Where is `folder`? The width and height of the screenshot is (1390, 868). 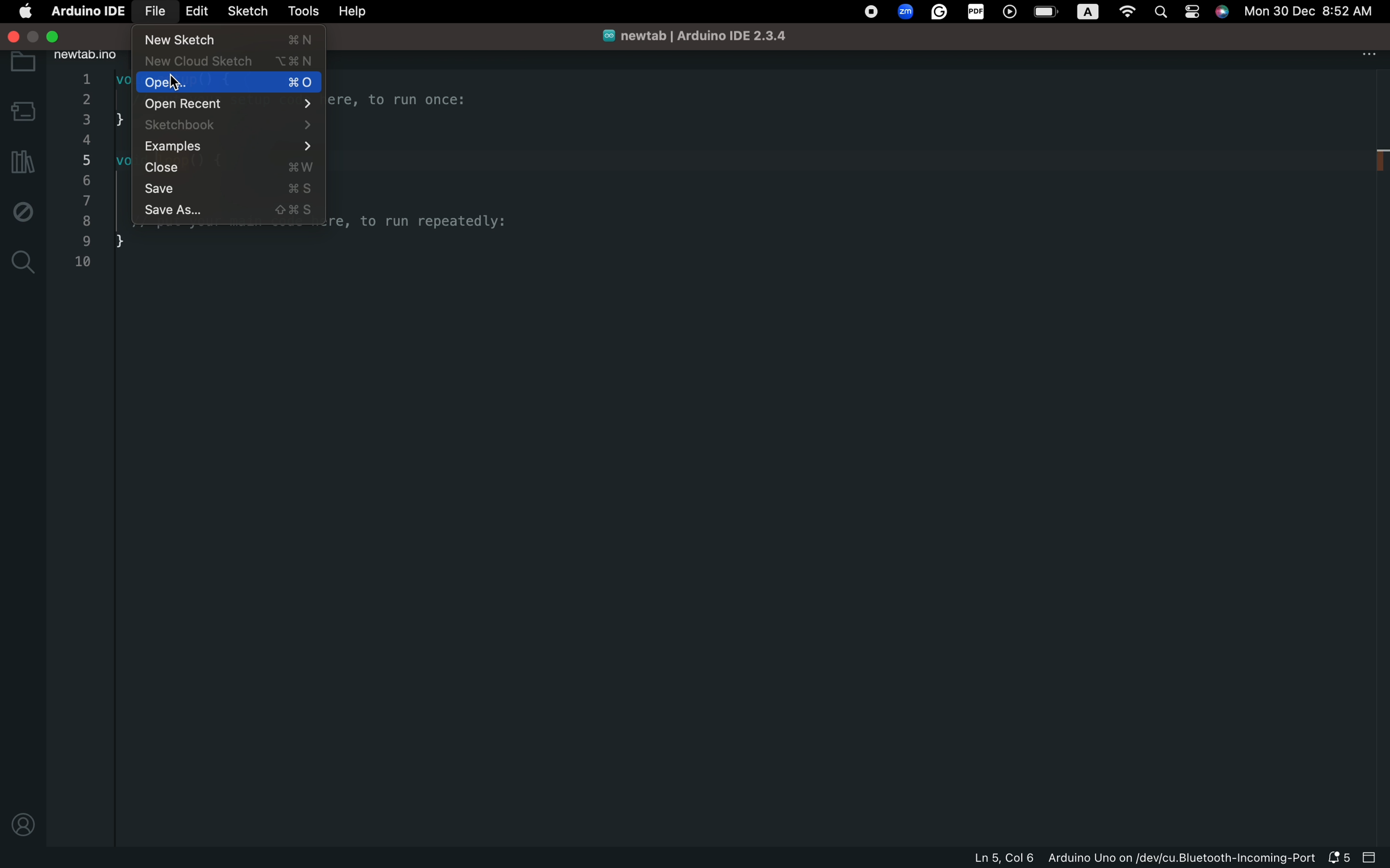
folder is located at coordinates (23, 65).